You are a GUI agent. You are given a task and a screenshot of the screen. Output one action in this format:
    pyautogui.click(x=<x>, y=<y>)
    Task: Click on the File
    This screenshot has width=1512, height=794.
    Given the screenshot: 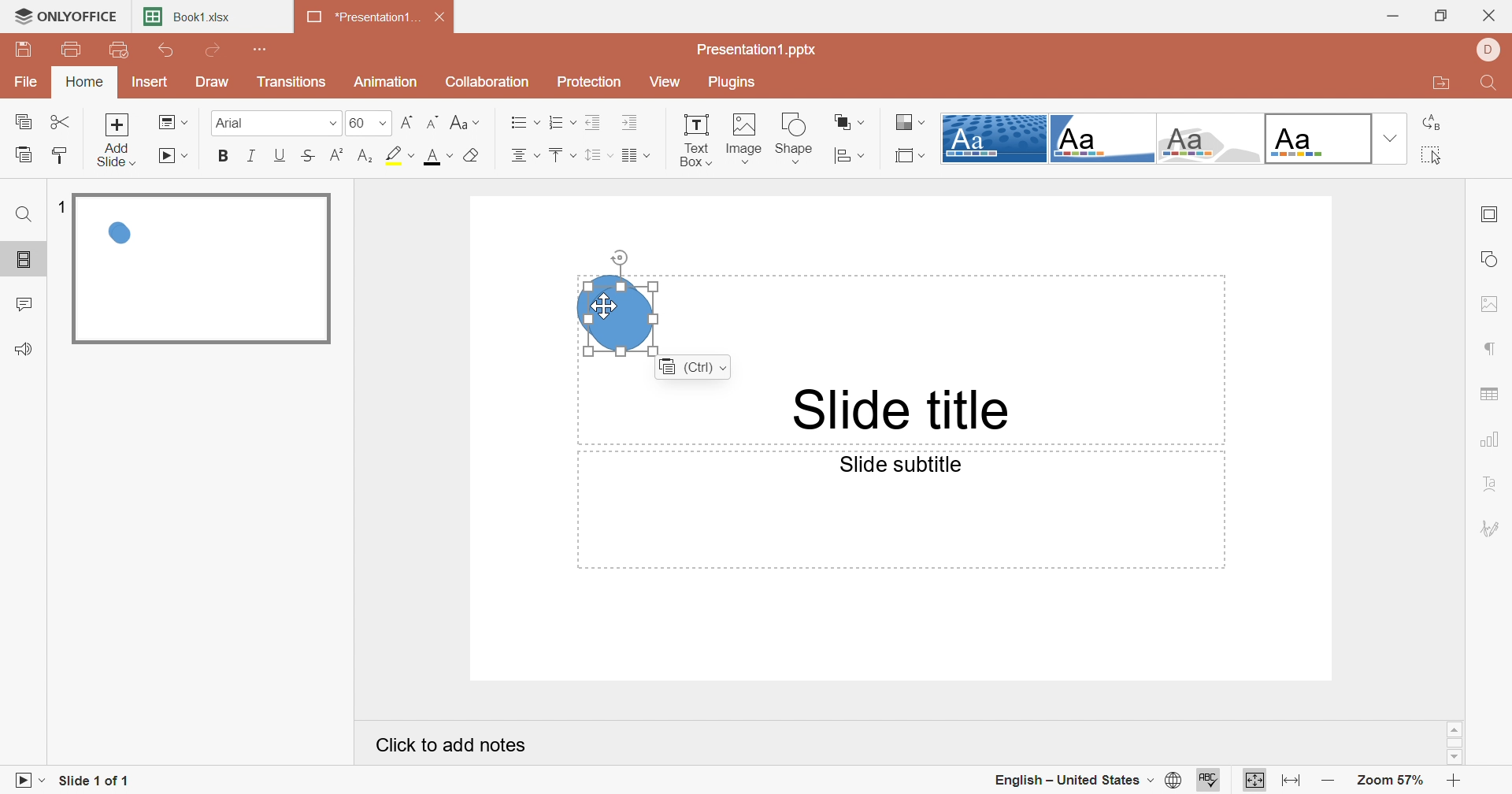 What is the action you would take?
    pyautogui.click(x=28, y=80)
    